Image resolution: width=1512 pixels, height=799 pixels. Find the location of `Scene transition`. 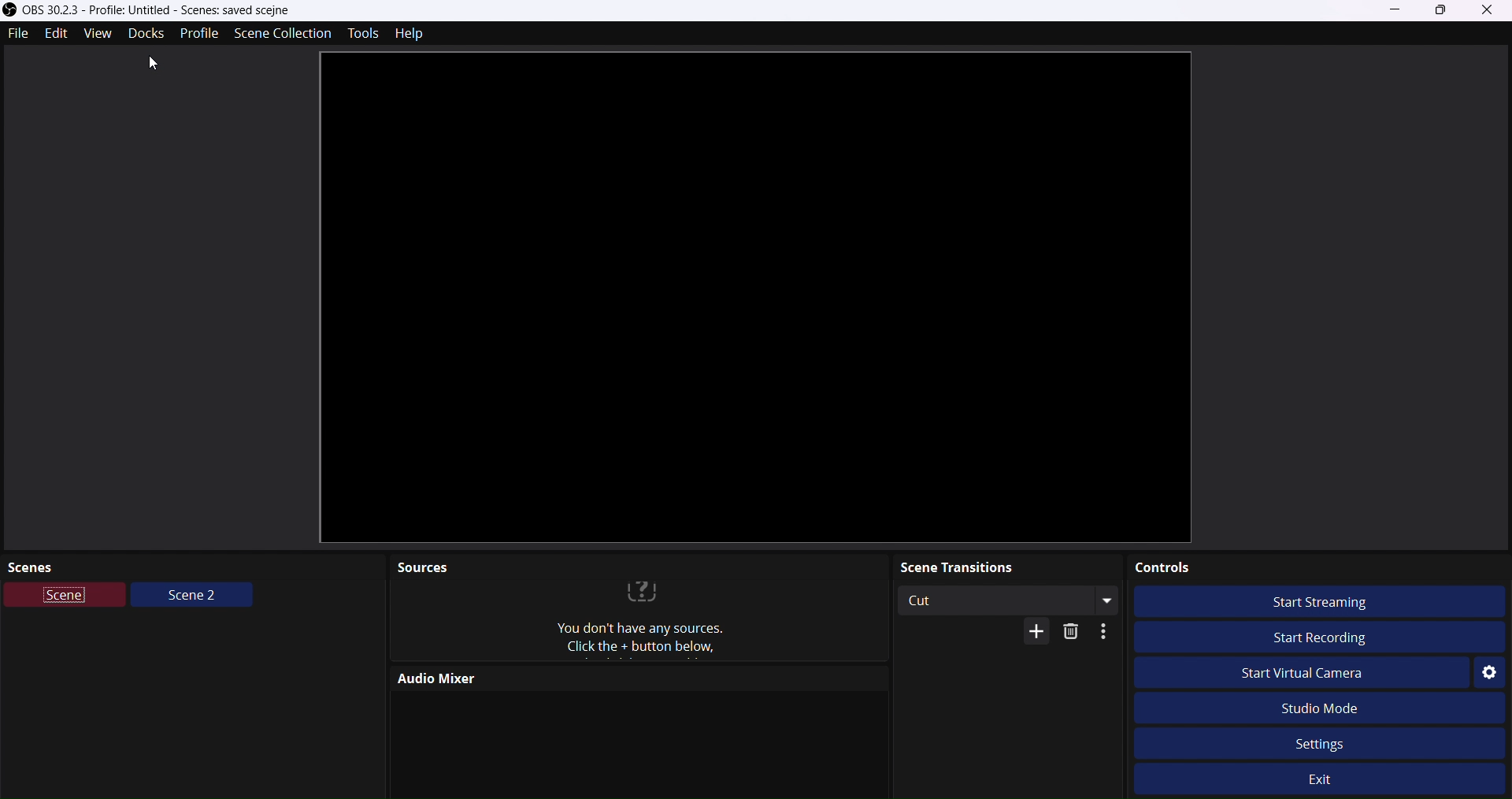

Scene transition is located at coordinates (1009, 567).